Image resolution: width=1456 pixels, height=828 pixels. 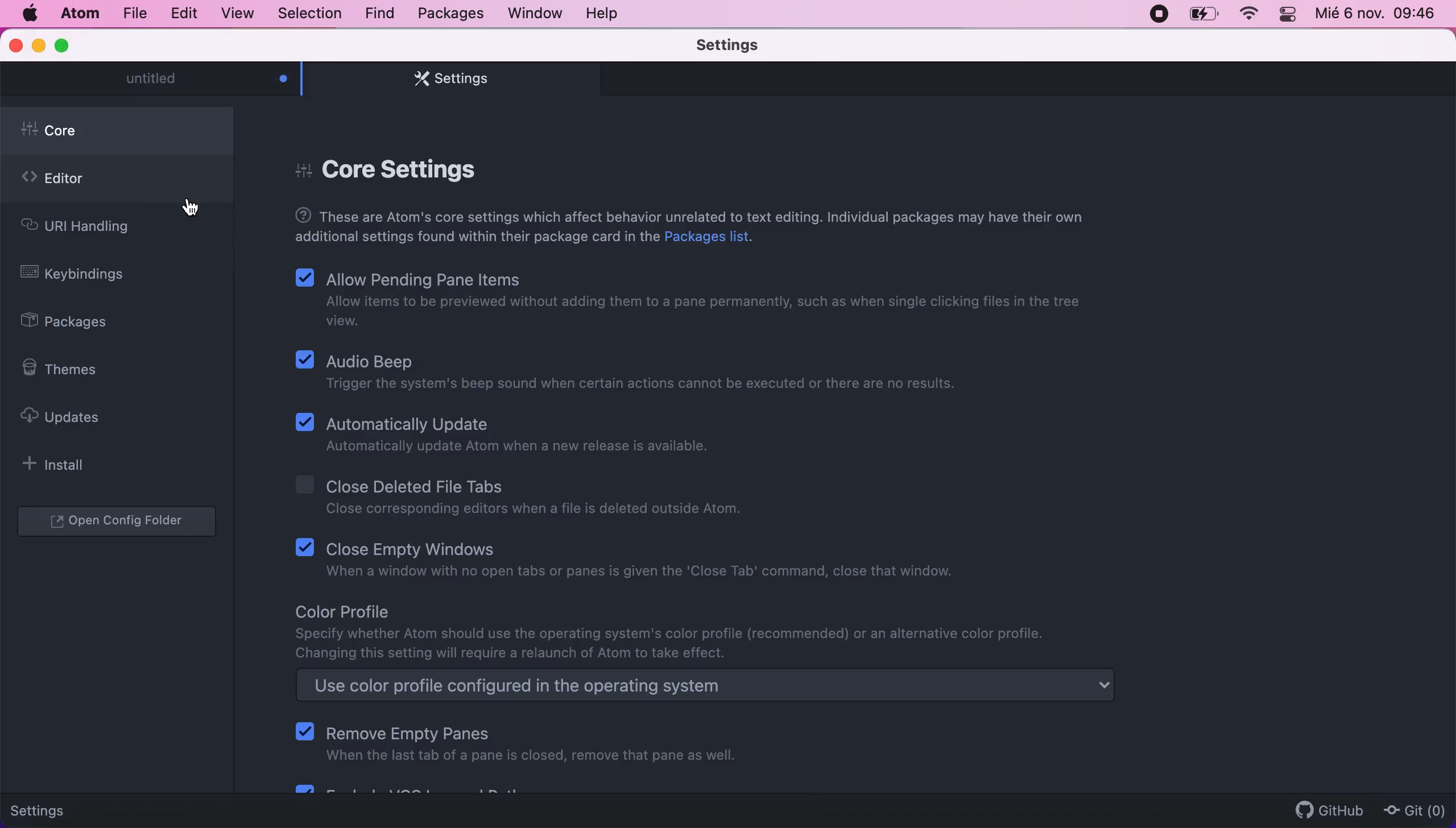 I want to click on editor, so click(x=59, y=175).